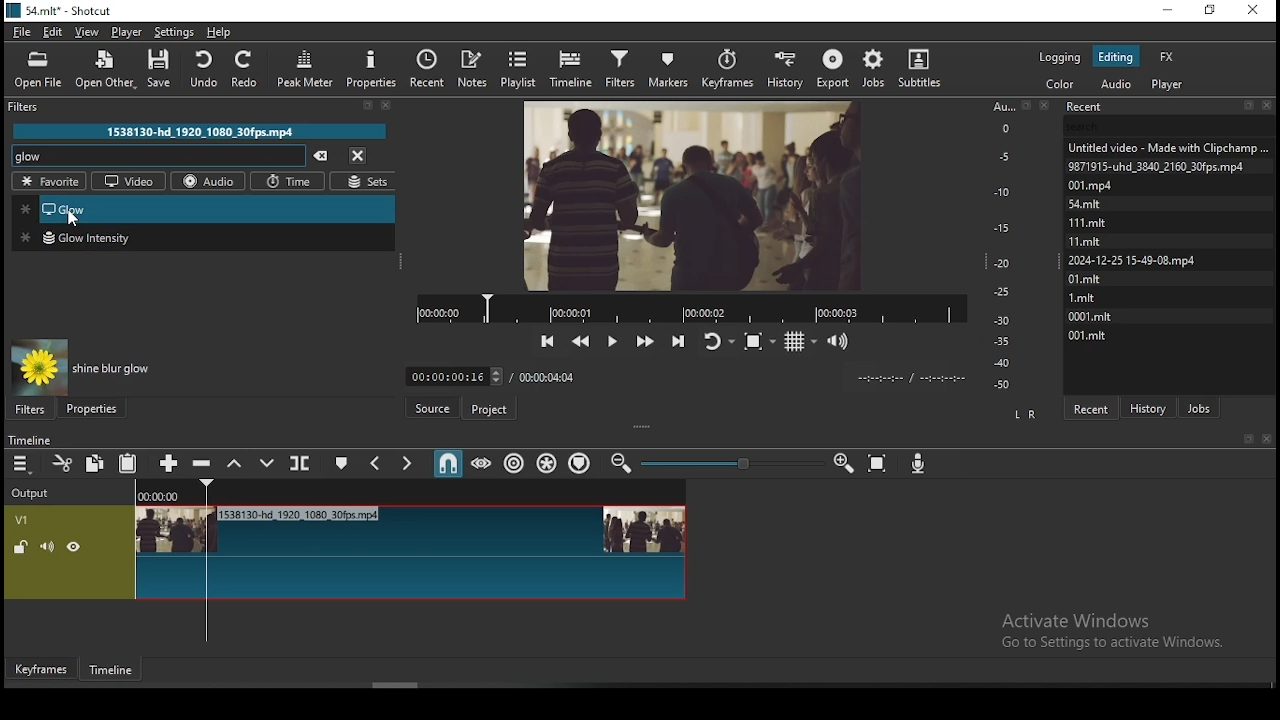  Describe the element at coordinates (172, 31) in the screenshot. I see `settings` at that location.